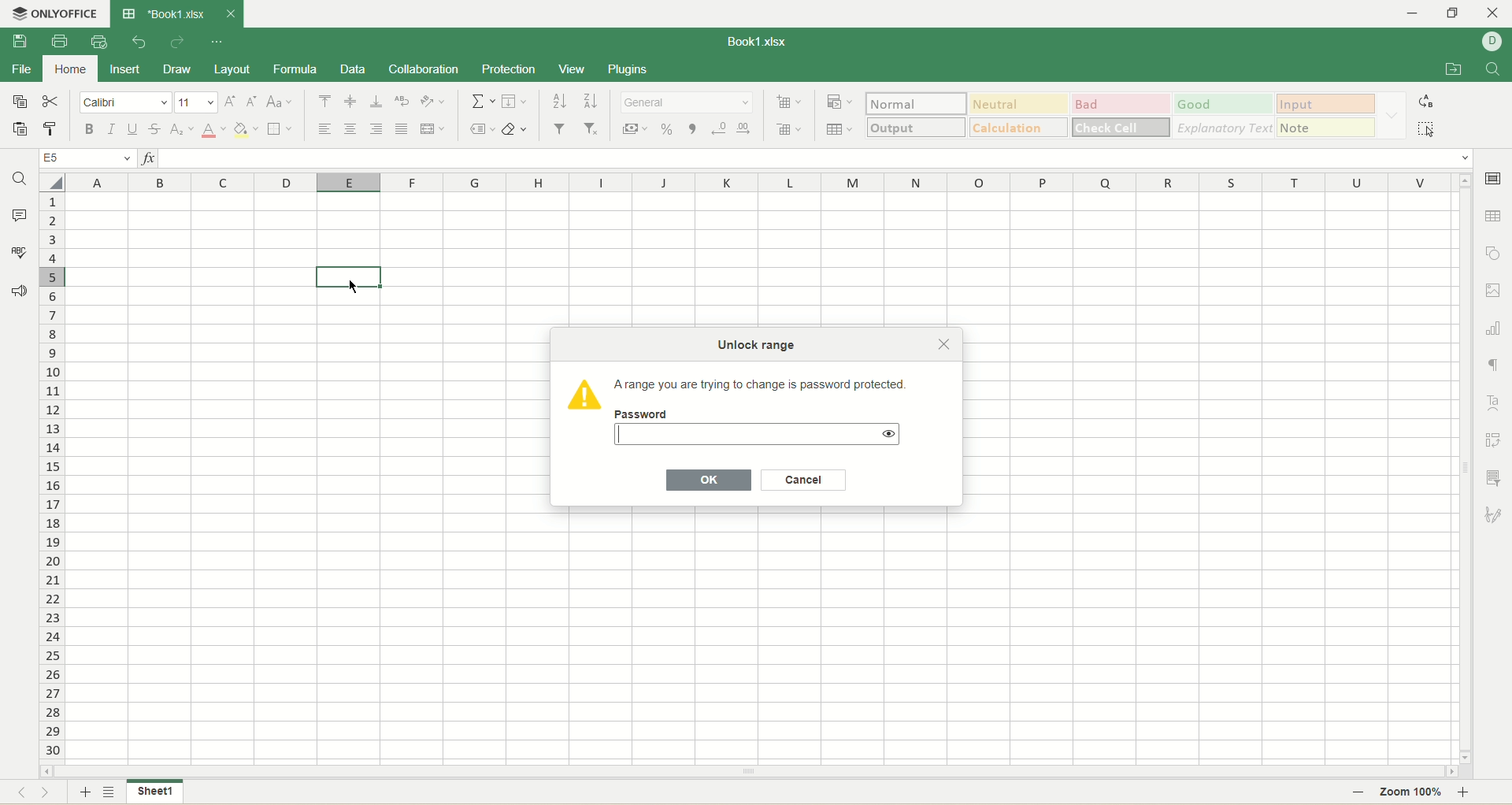 The width and height of the screenshot is (1512, 805). Describe the element at coordinates (1325, 103) in the screenshot. I see `input` at that location.